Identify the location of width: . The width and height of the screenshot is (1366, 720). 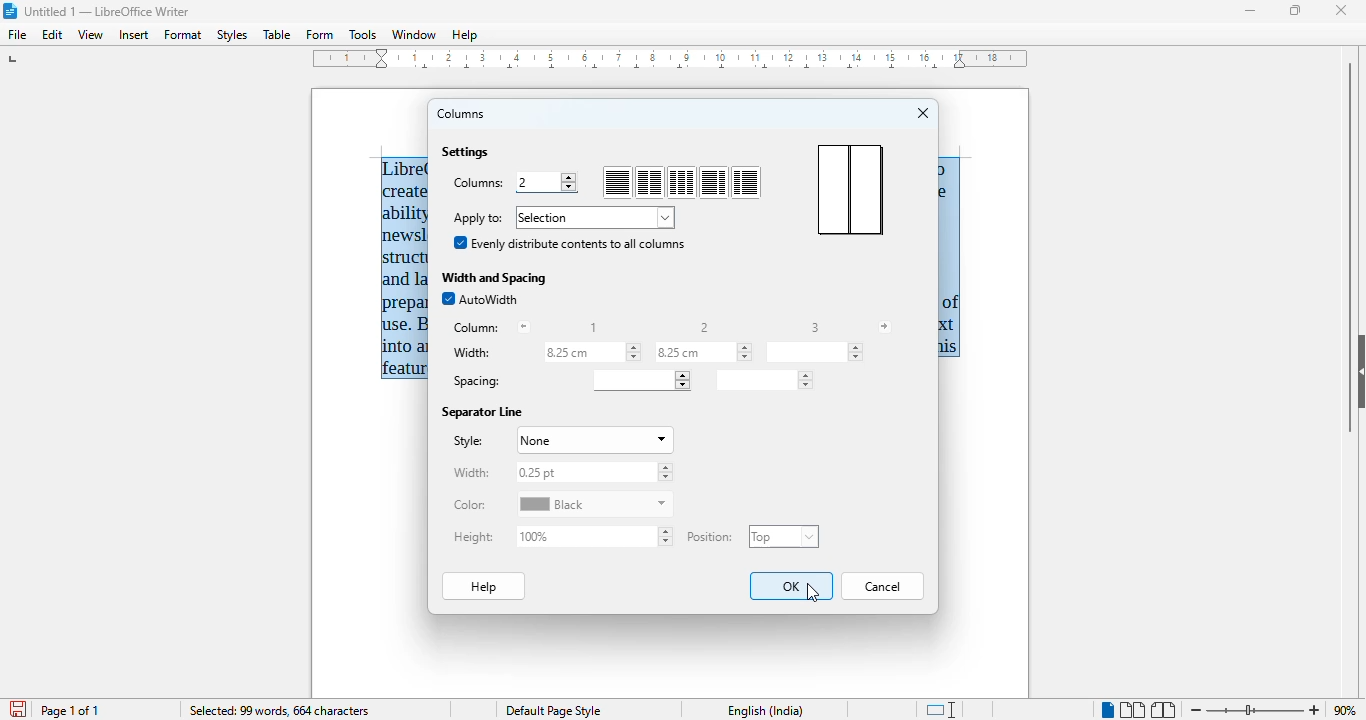
(471, 473).